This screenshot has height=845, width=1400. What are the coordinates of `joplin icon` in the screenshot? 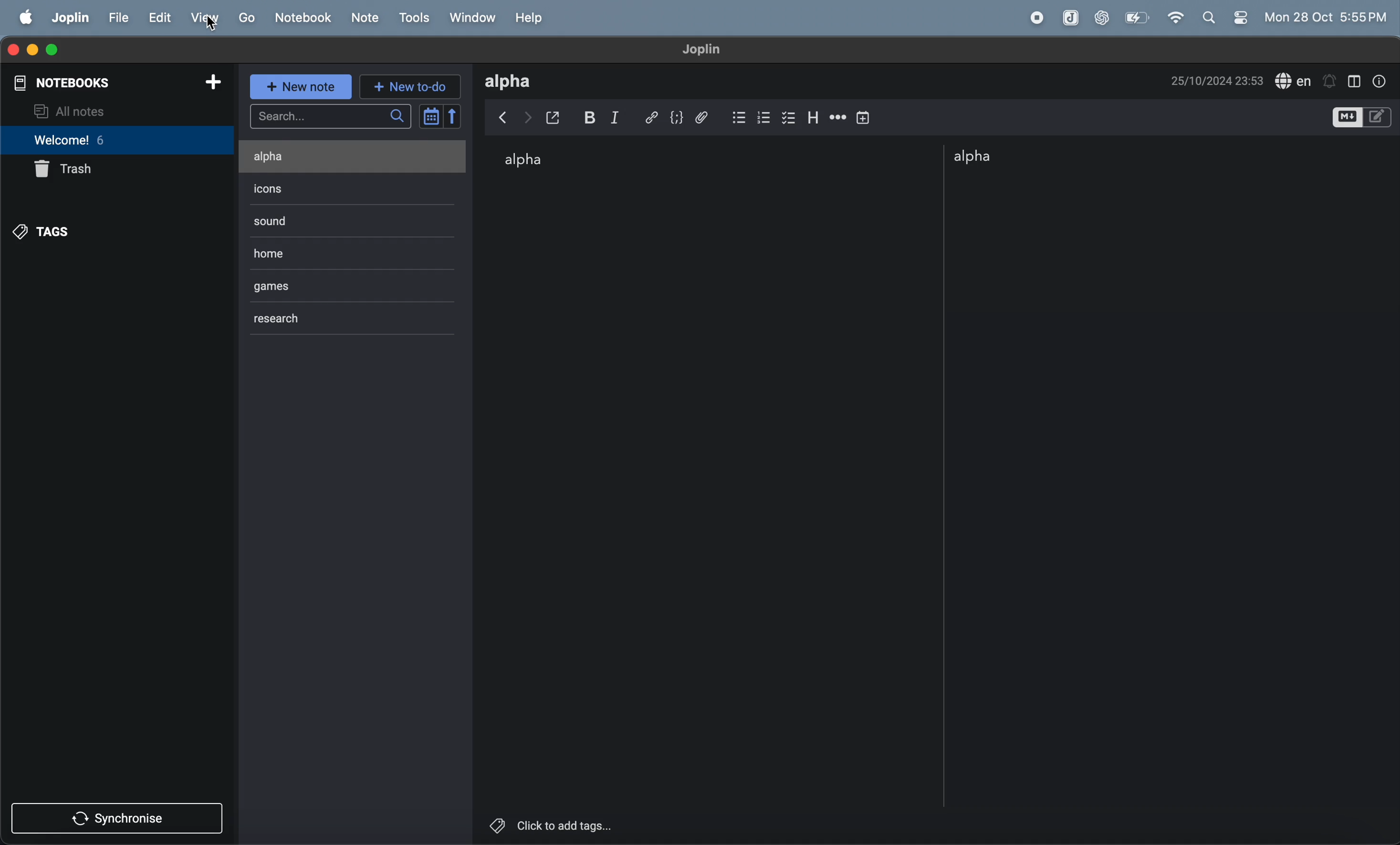 It's located at (1069, 18).